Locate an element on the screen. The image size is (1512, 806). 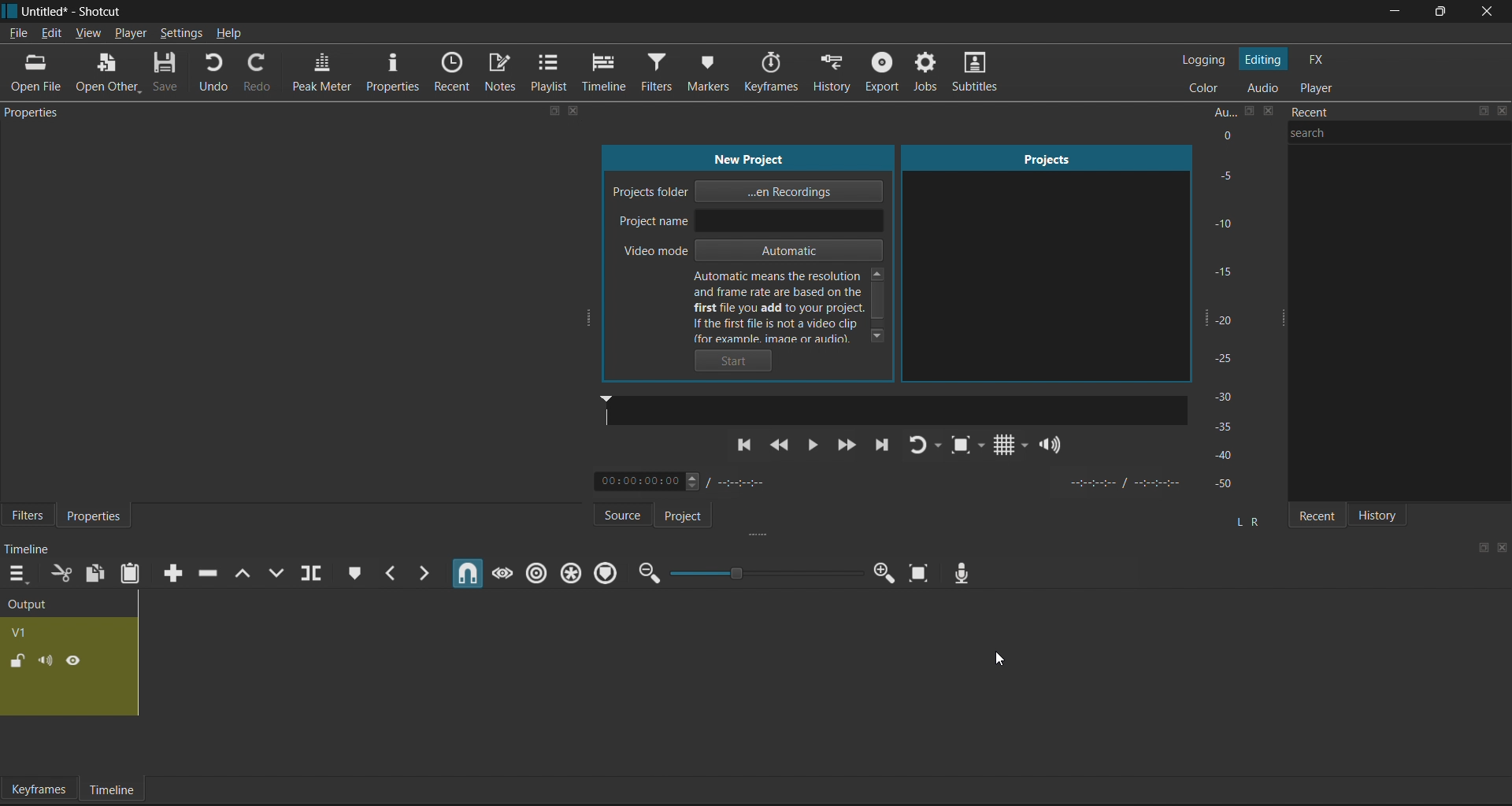
Project is located at coordinates (695, 516).